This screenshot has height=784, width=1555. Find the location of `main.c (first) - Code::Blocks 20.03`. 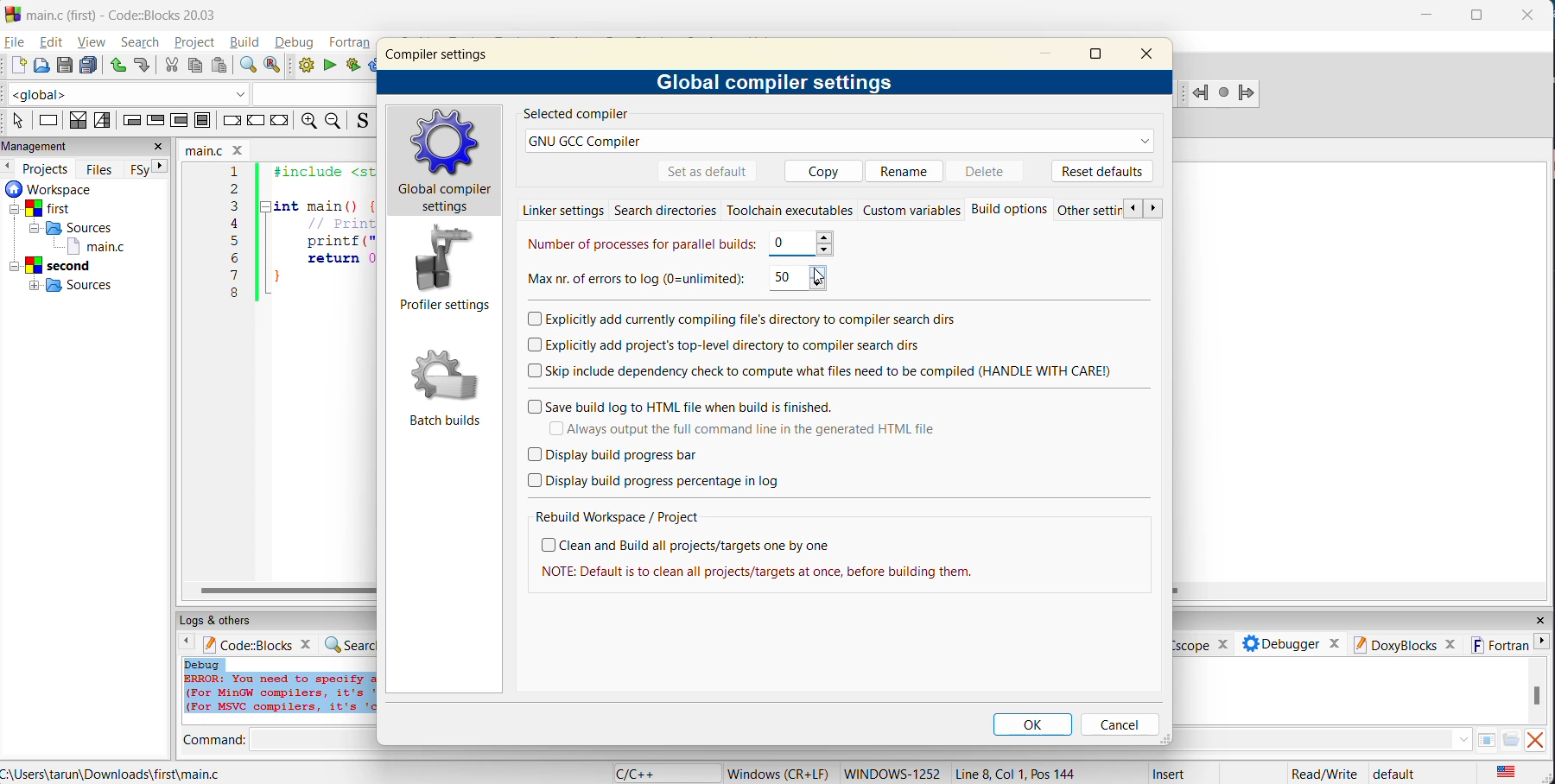

main.c (first) - Code::Blocks 20.03 is located at coordinates (116, 15).